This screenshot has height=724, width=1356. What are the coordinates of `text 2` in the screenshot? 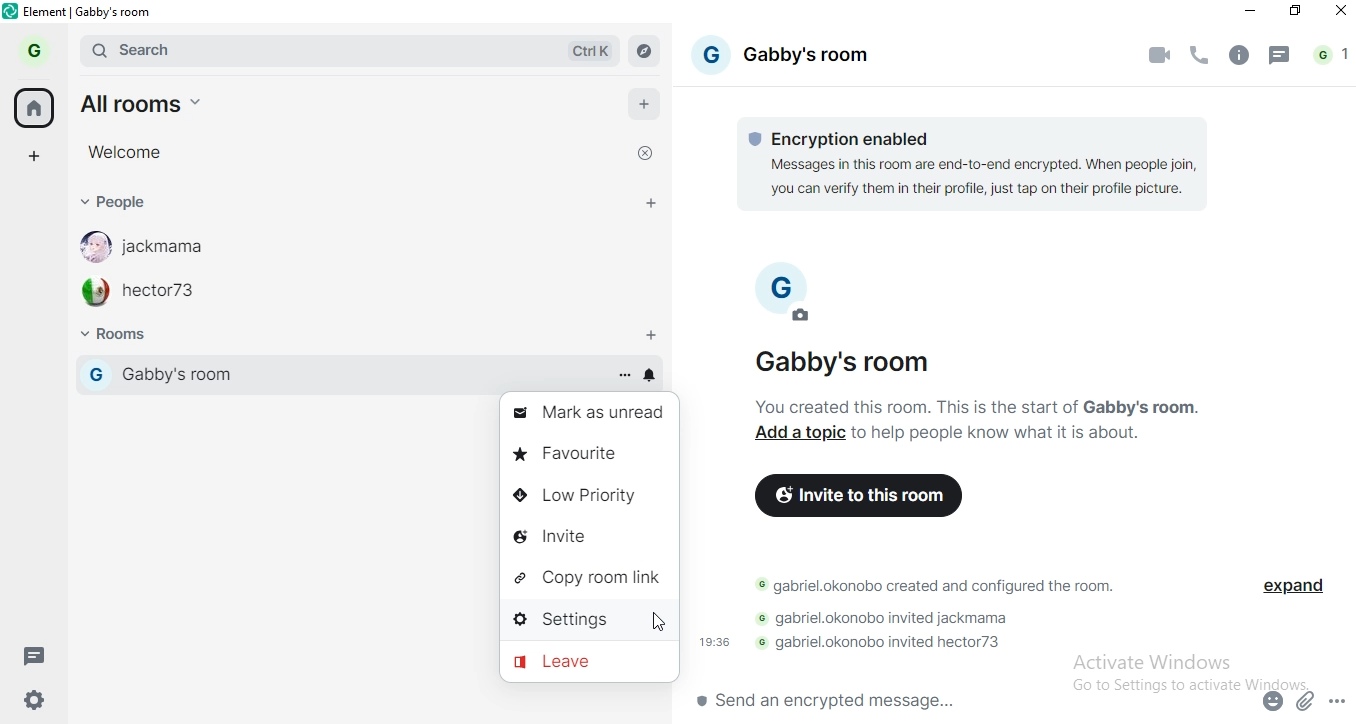 It's located at (979, 404).